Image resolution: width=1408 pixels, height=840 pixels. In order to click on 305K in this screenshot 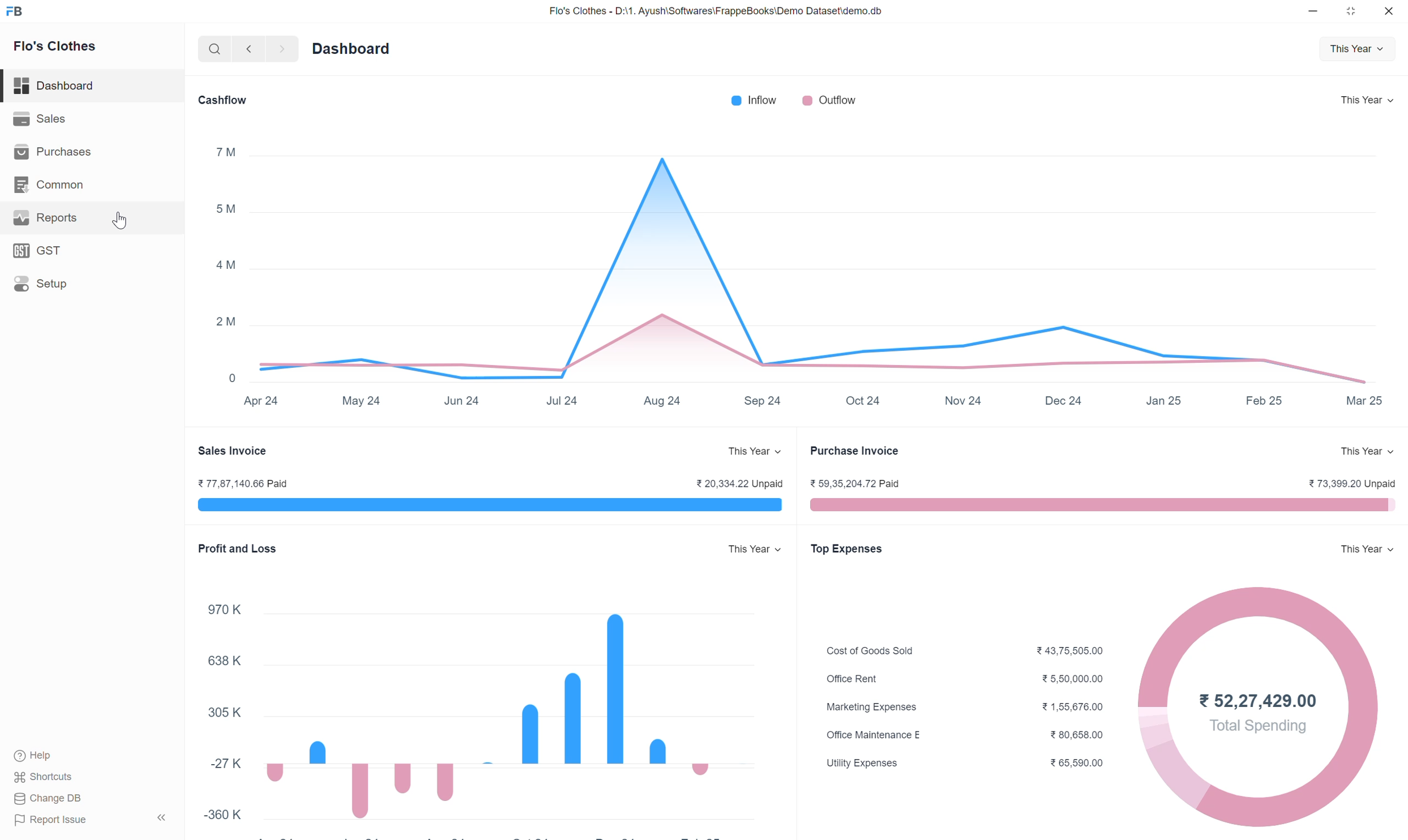, I will do `click(224, 717)`.